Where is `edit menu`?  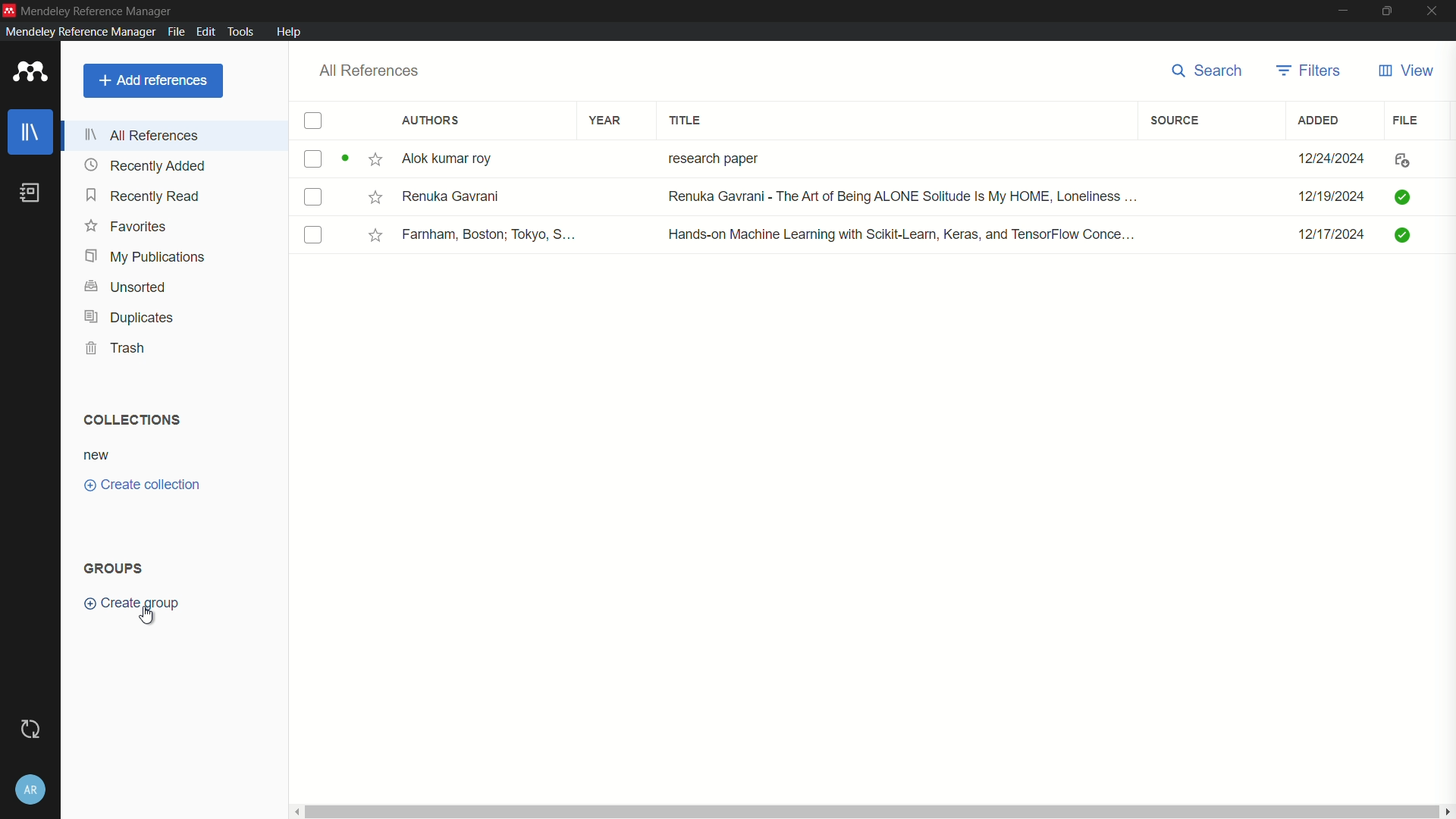
edit menu is located at coordinates (205, 31).